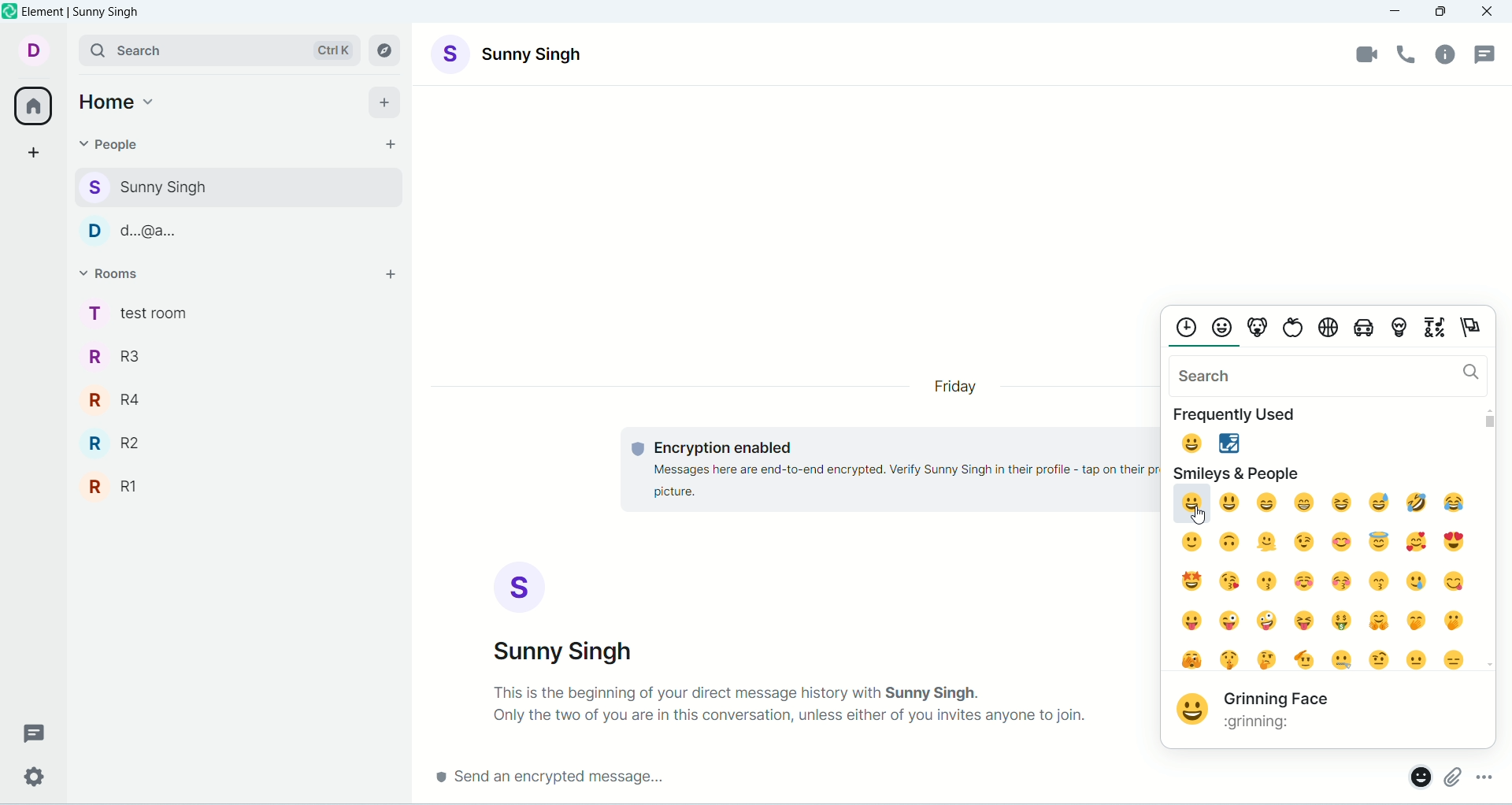 The height and width of the screenshot is (805, 1512). I want to click on cursor, so click(1199, 514).